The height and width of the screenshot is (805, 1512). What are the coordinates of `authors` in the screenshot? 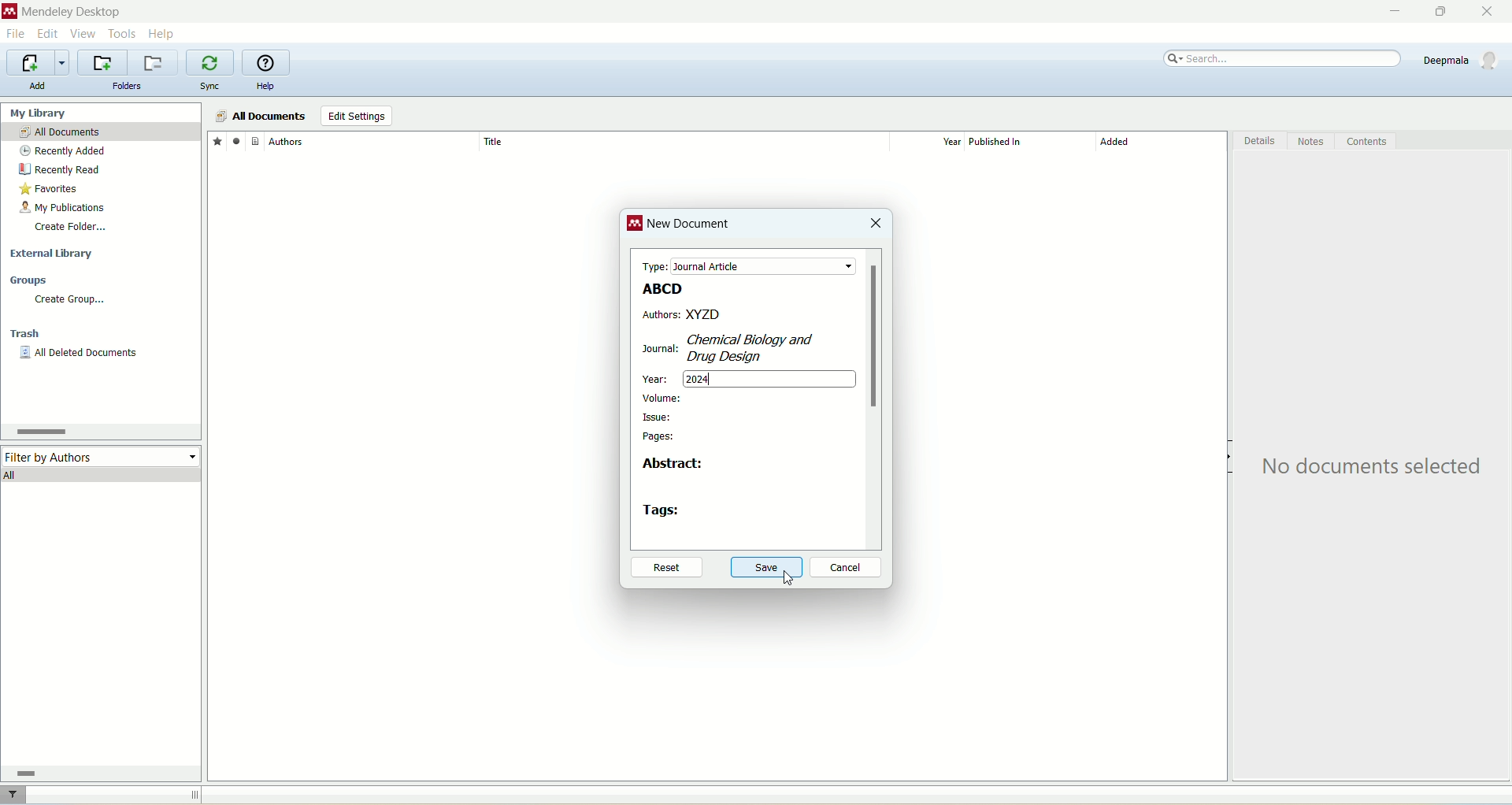 It's located at (660, 315).